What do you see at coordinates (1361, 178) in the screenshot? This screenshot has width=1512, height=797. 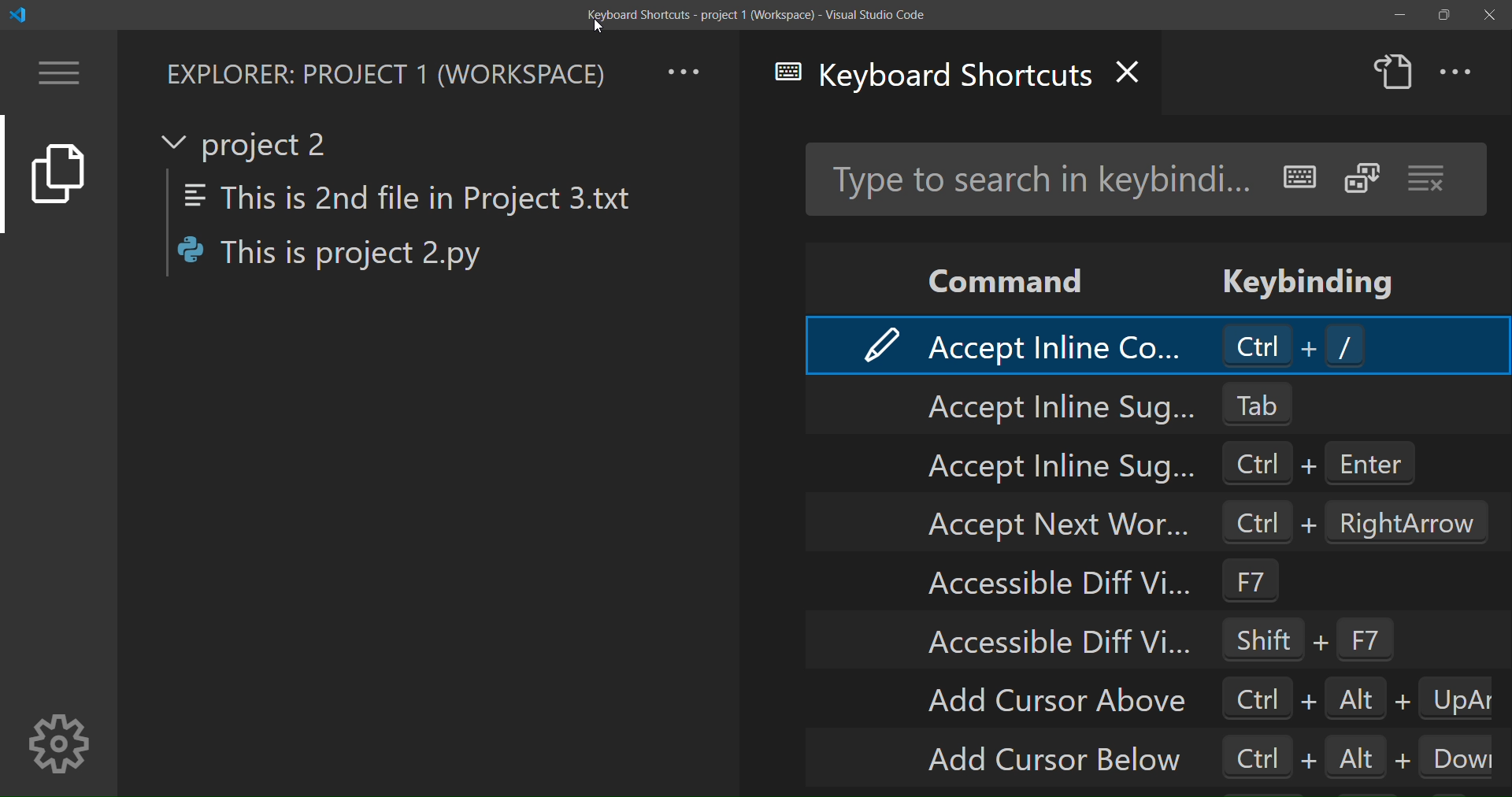 I see `sort` at bounding box center [1361, 178].